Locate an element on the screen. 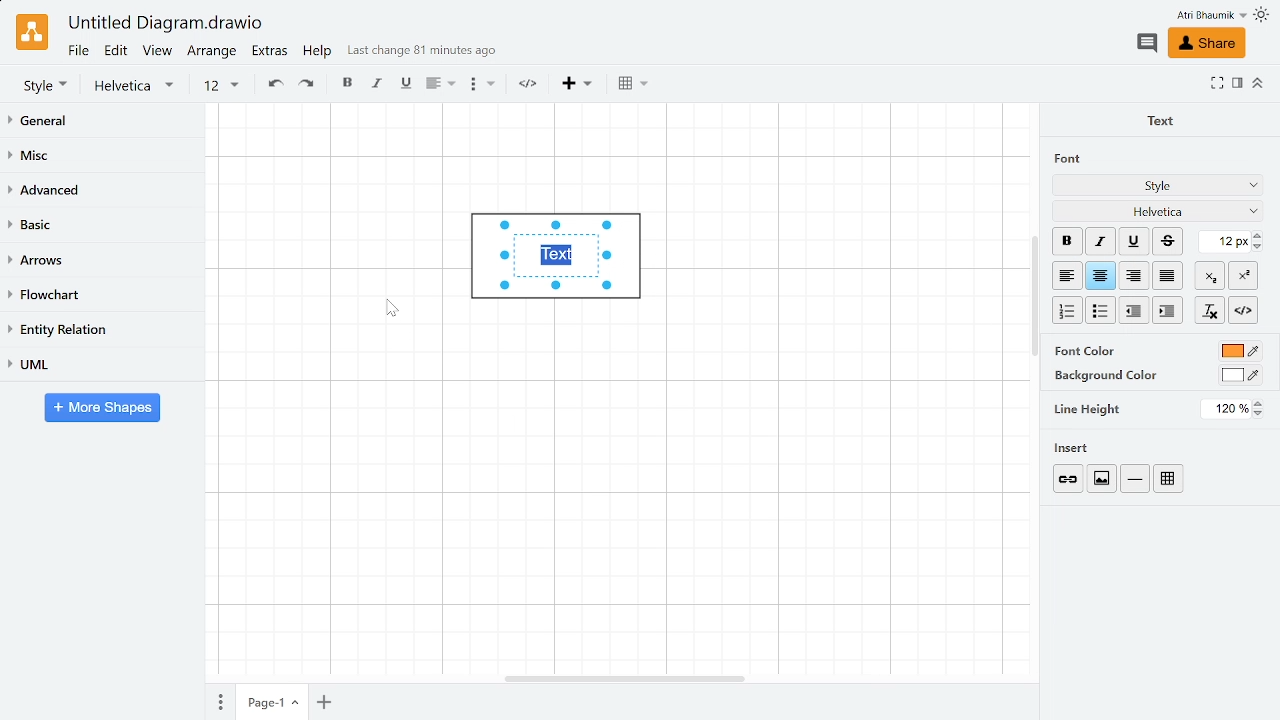 Image resolution: width=1280 pixels, height=720 pixels. font size is located at coordinates (220, 86).